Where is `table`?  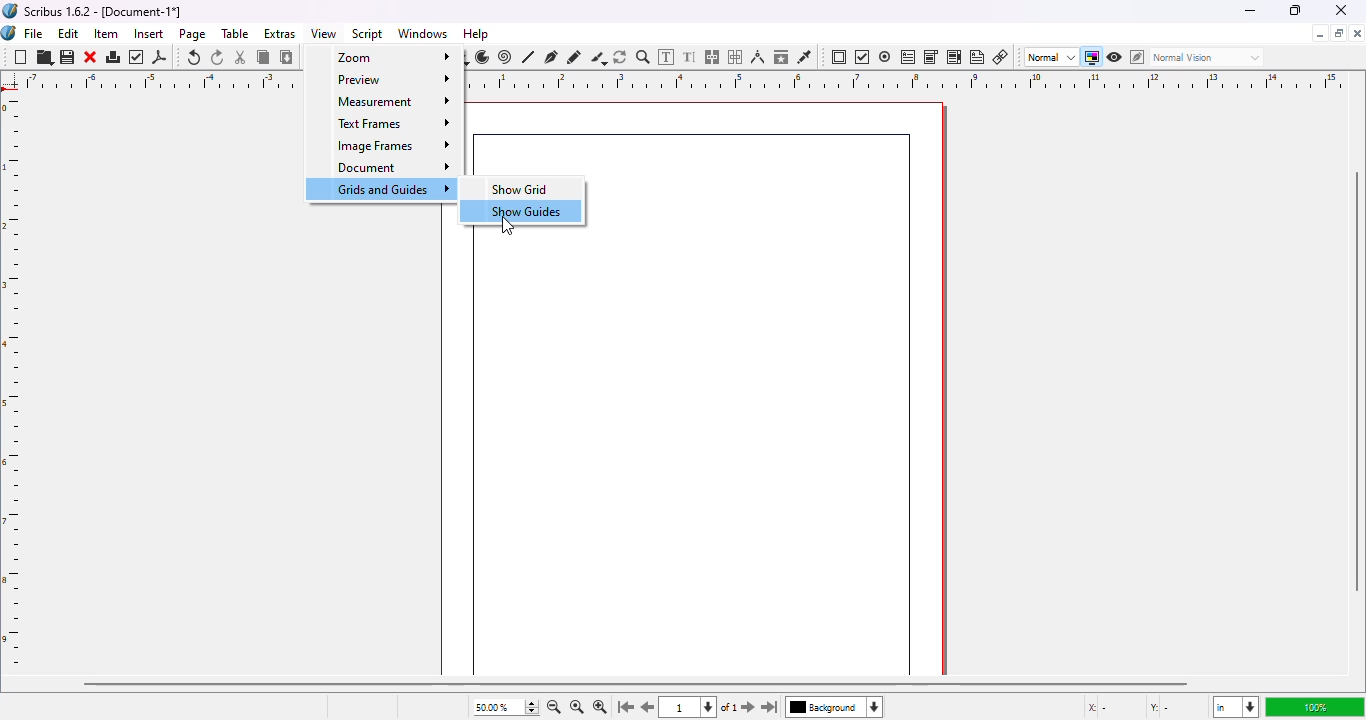
table is located at coordinates (236, 34).